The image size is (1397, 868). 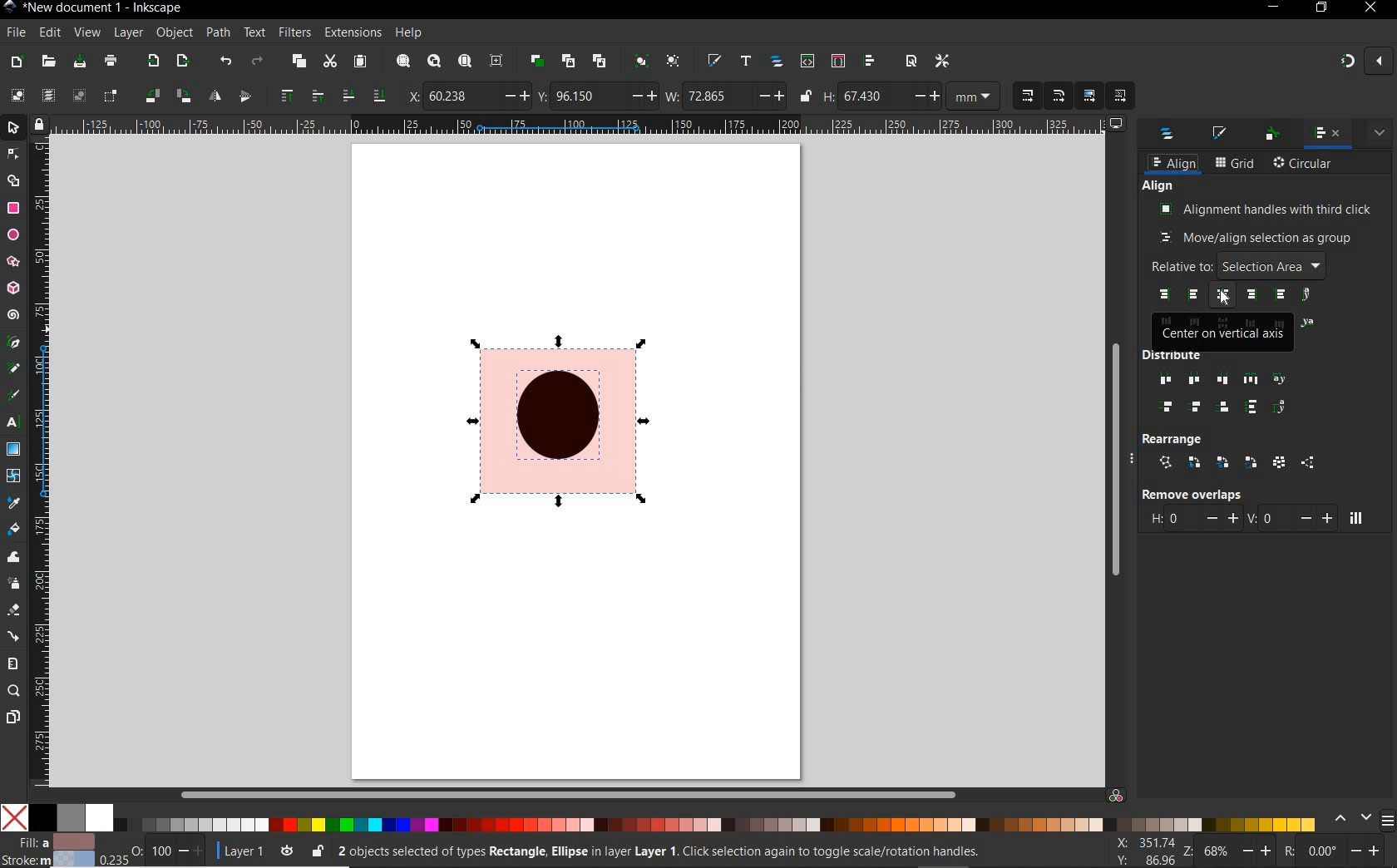 I want to click on alignment handles with third click, so click(x=1266, y=209).